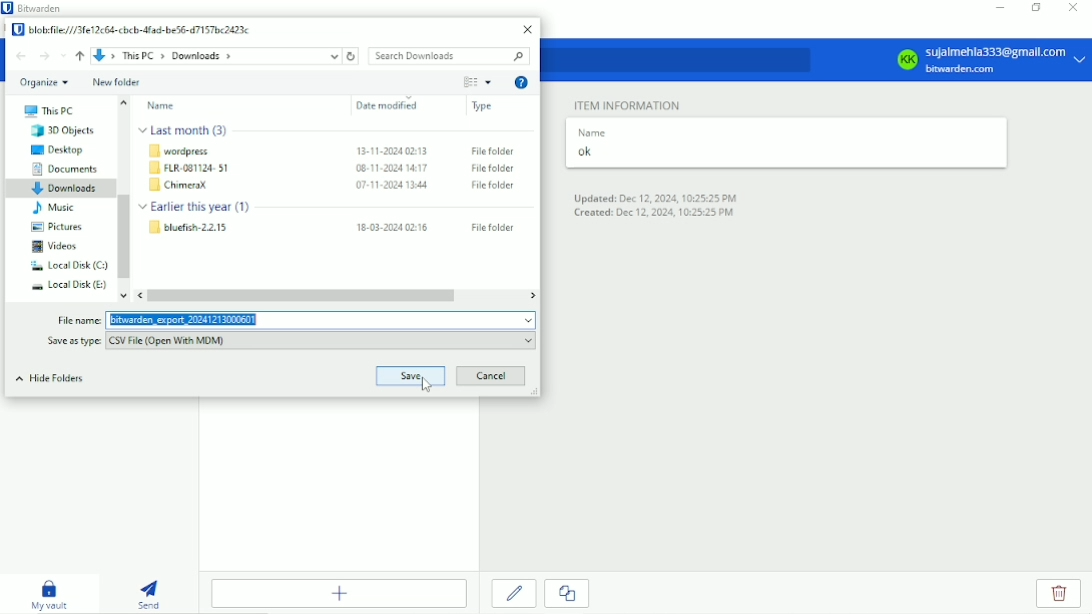  Describe the element at coordinates (354, 57) in the screenshot. I see `Refresh` at that location.